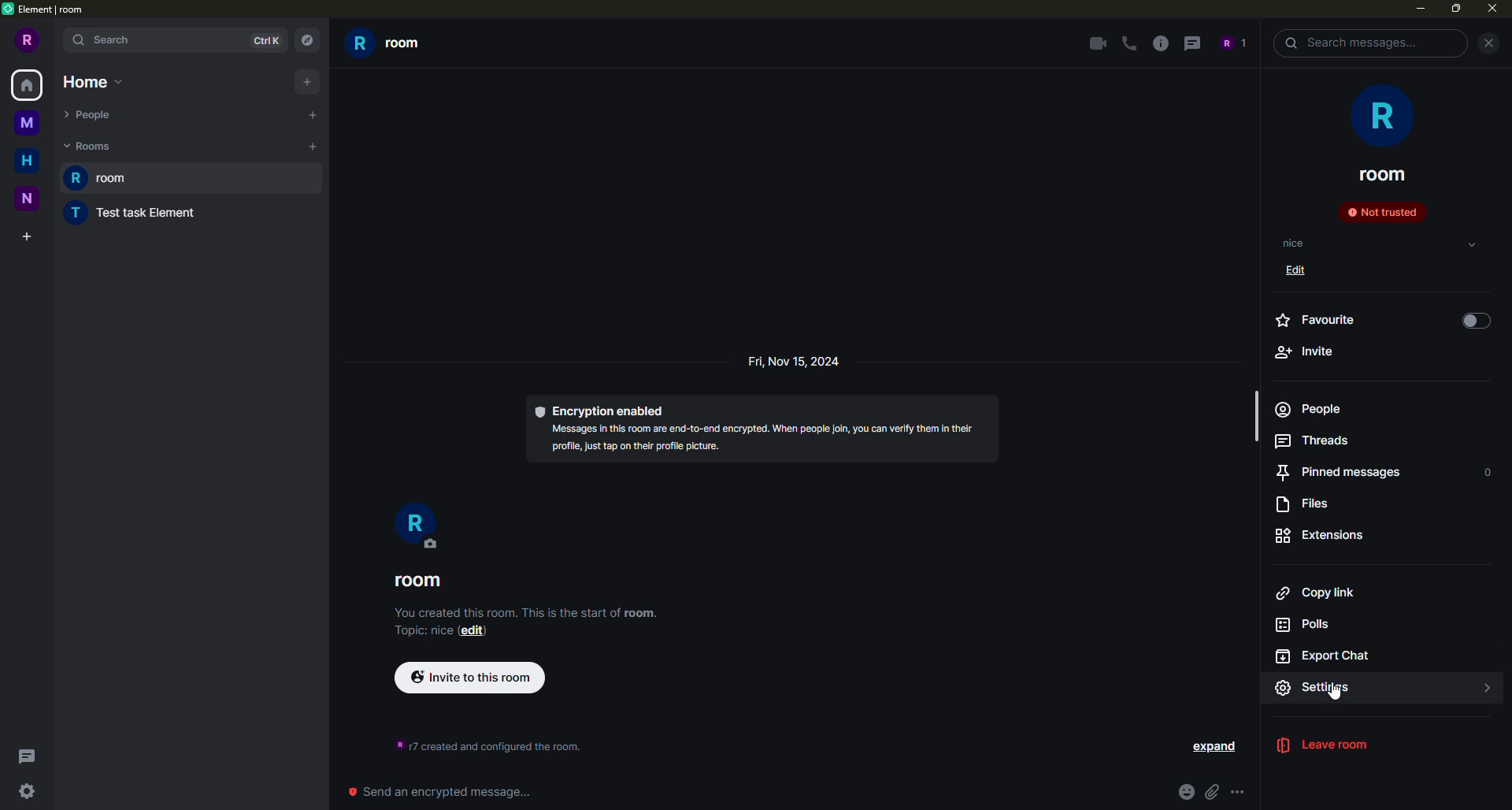  What do you see at coordinates (1488, 43) in the screenshot?
I see `close` at bounding box center [1488, 43].